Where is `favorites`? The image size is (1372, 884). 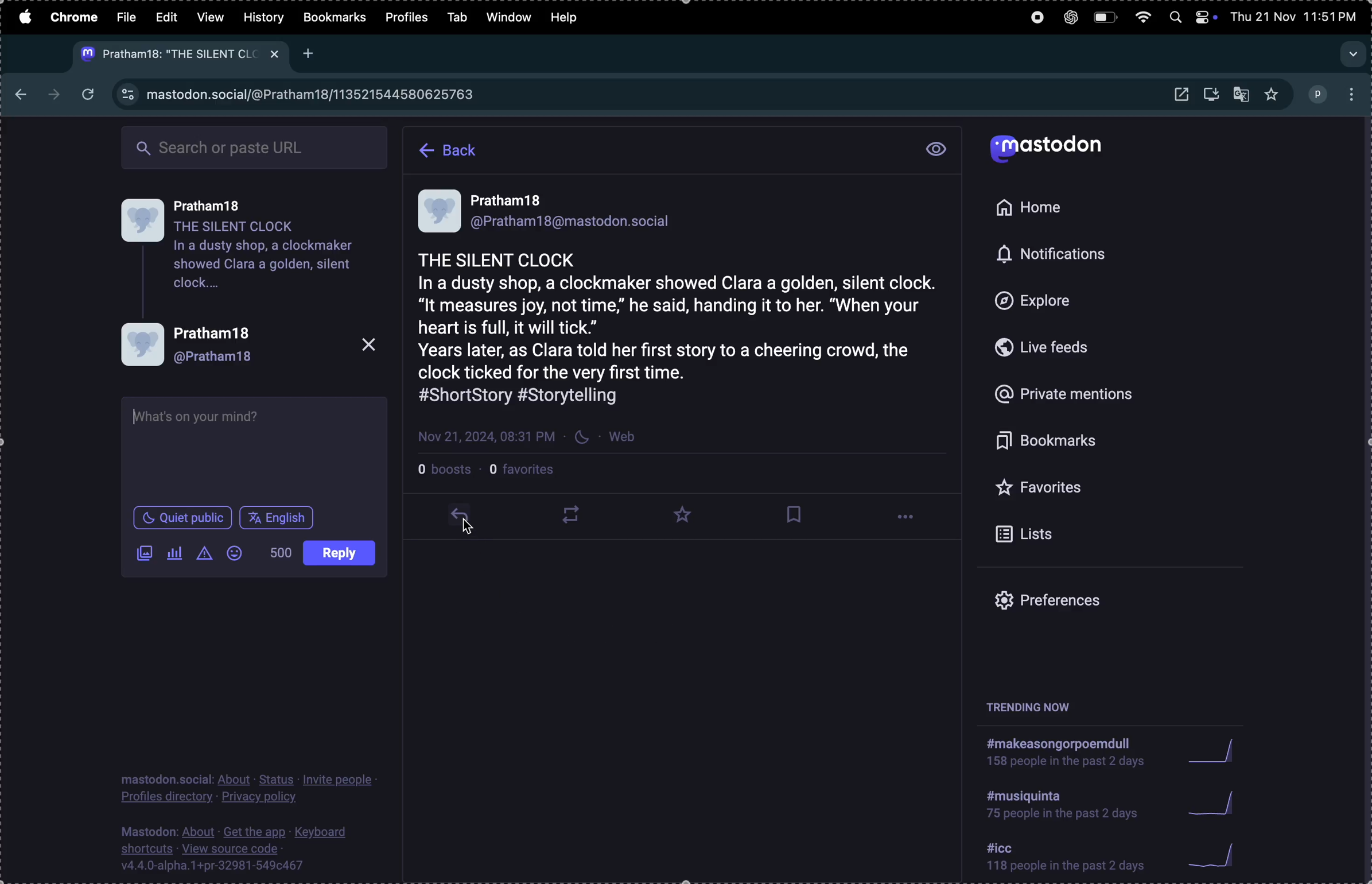 favorites is located at coordinates (1272, 96).